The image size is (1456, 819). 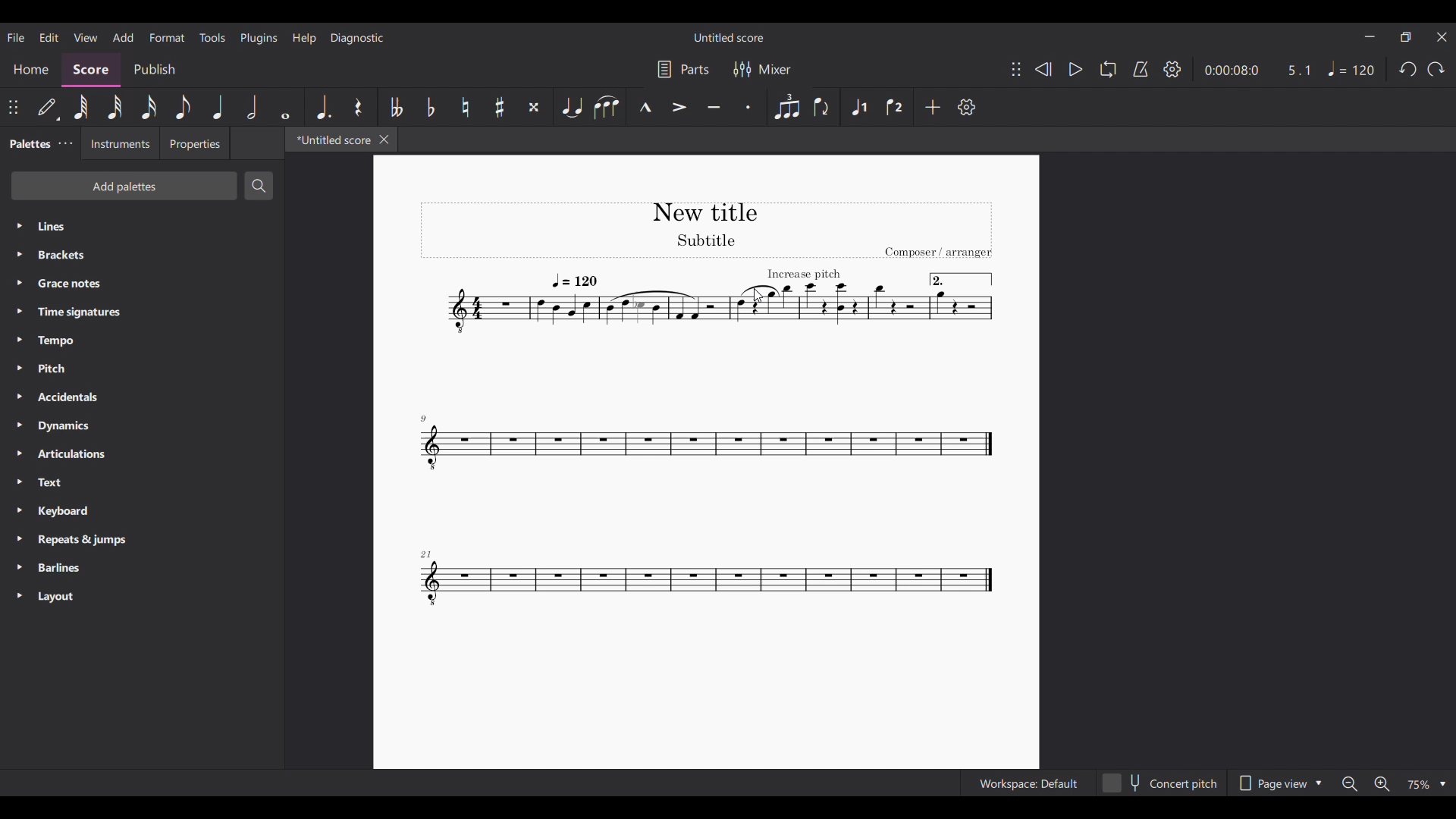 I want to click on Repeats & jumps, so click(x=143, y=539).